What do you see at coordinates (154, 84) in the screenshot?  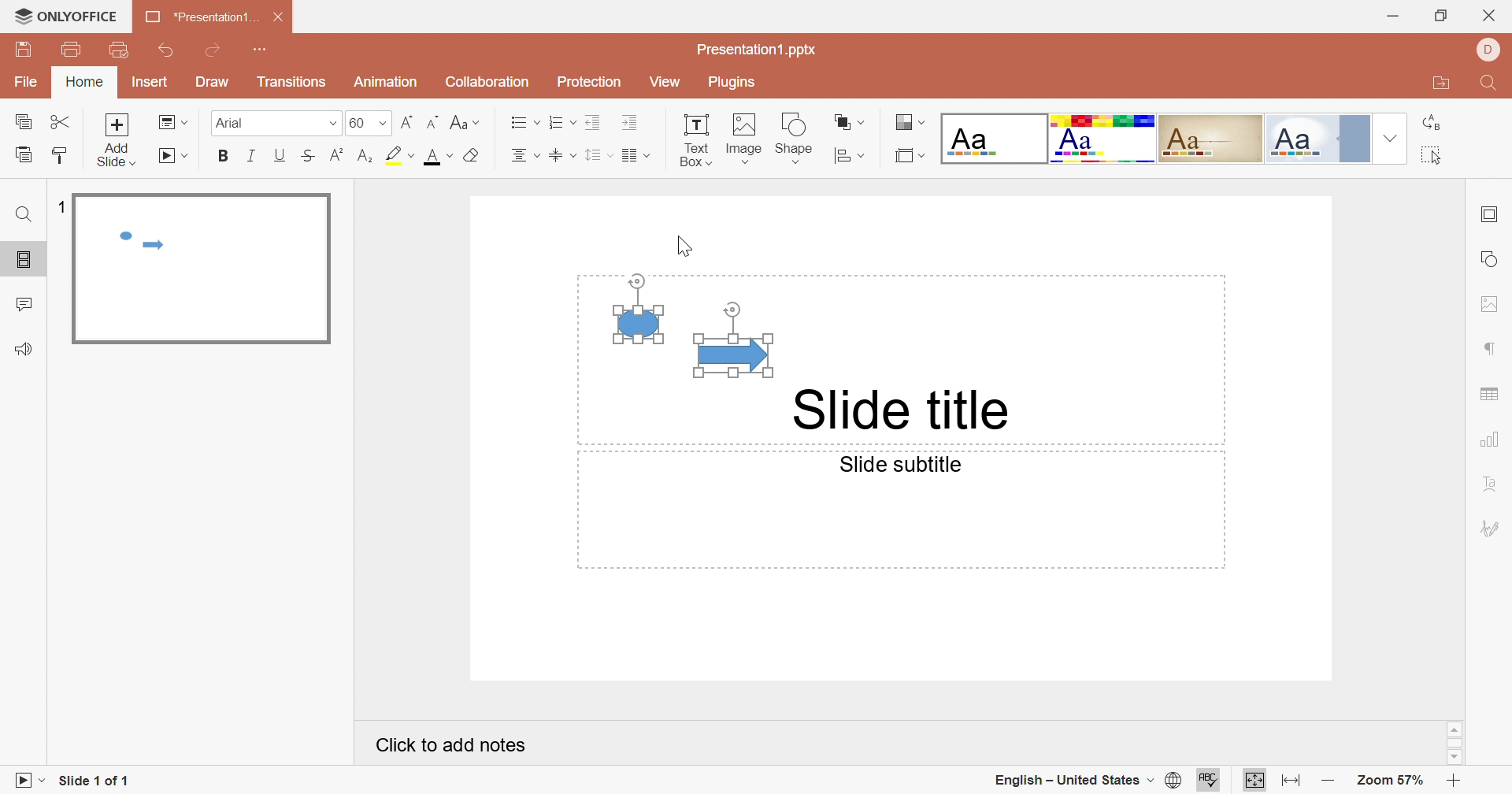 I see `Insert` at bounding box center [154, 84].